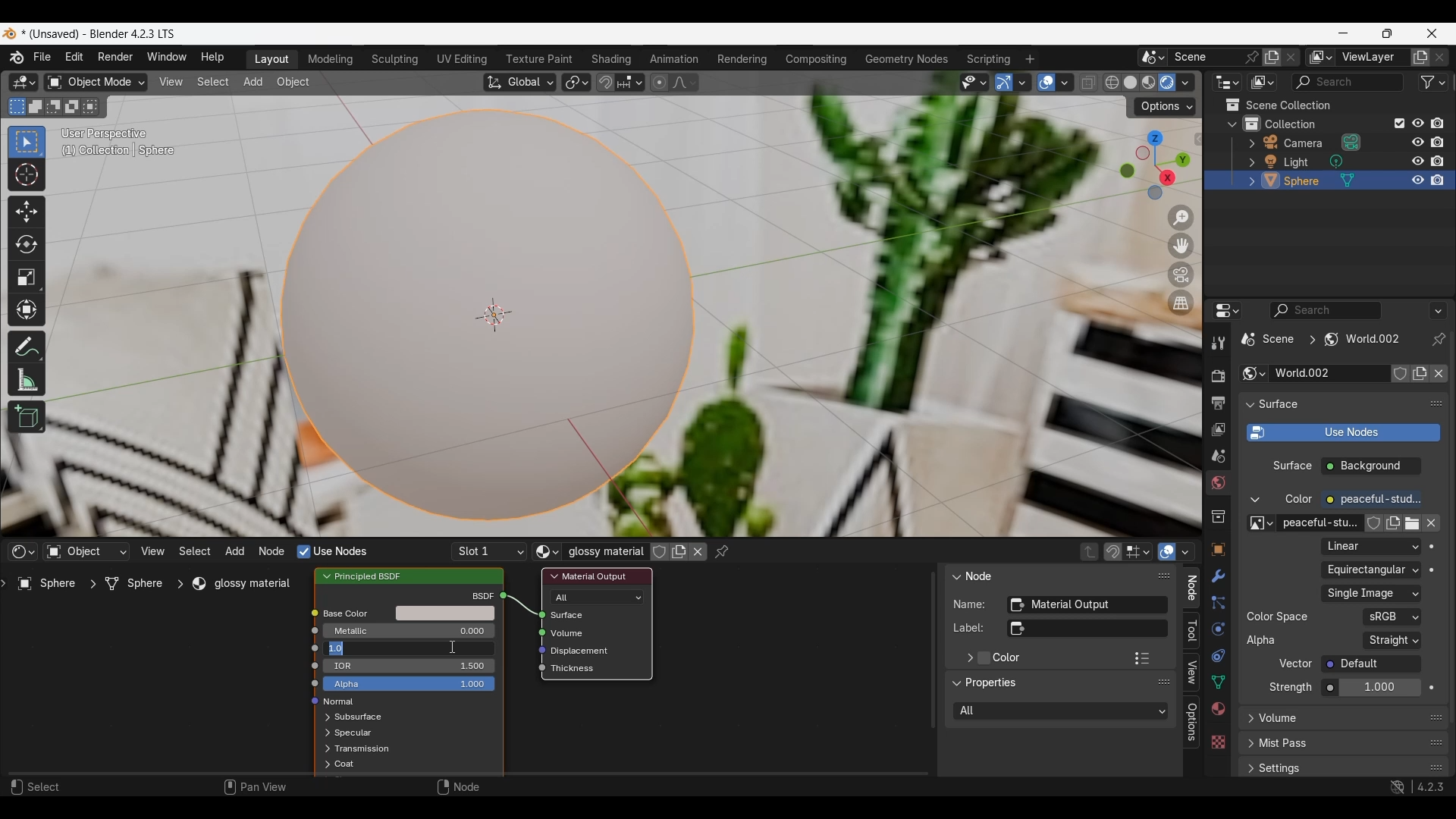 Image resolution: width=1456 pixels, height=819 pixels. Describe the element at coordinates (1370, 546) in the screenshot. I see `Texture interpolation` at that location.